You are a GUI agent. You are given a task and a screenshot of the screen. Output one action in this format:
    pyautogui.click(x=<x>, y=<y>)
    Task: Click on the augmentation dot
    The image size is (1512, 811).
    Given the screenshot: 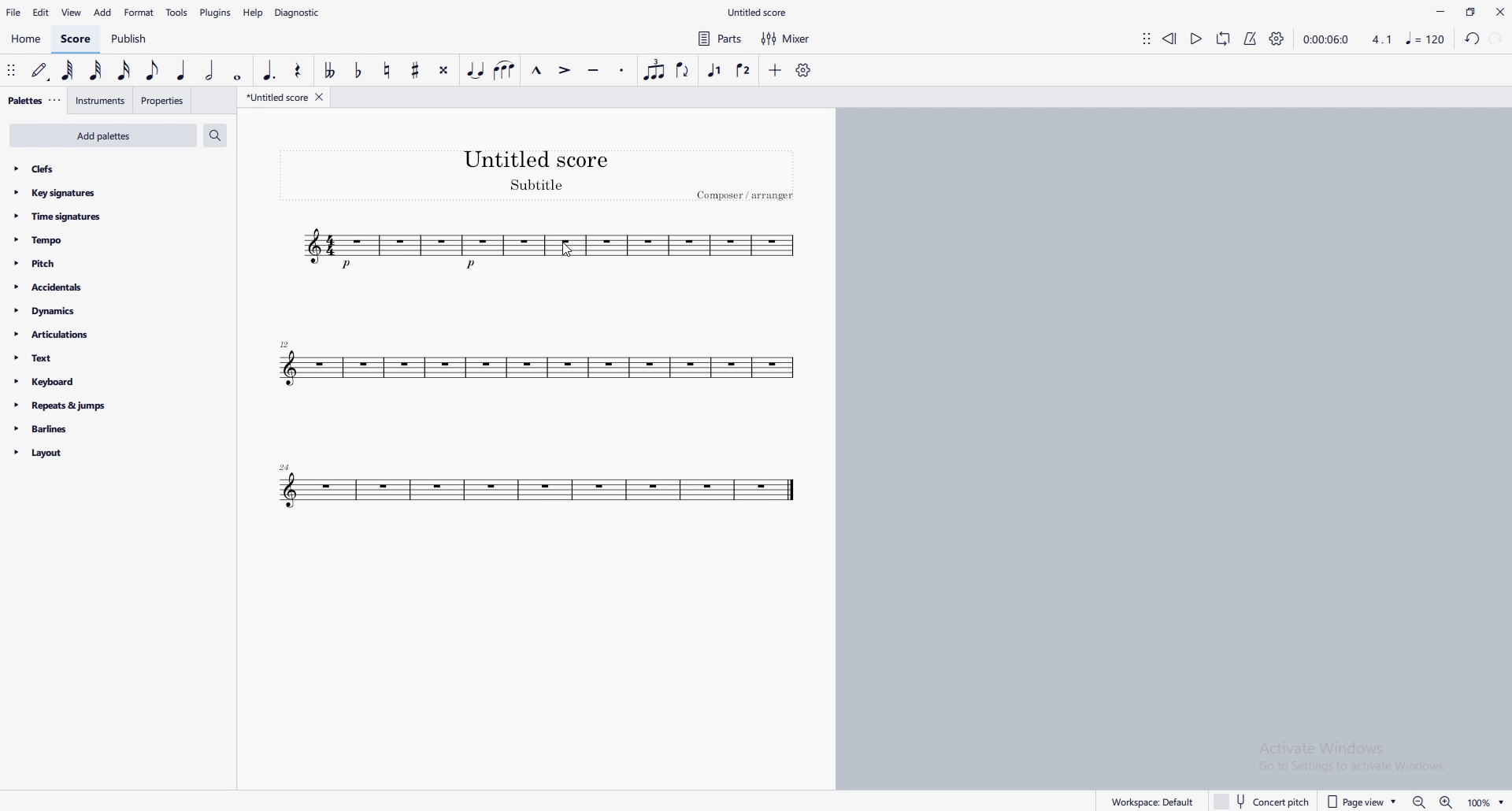 What is the action you would take?
    pyautogui.click(x=269, y=71)
    